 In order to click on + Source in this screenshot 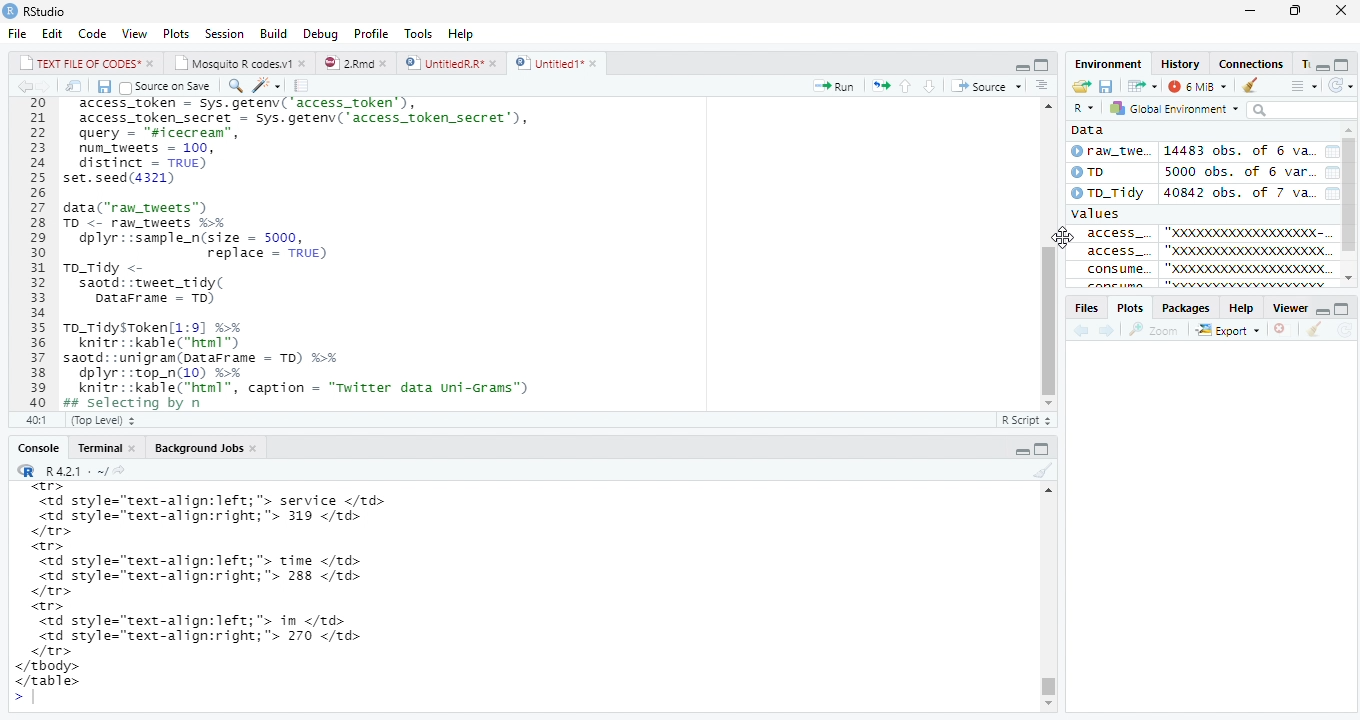, I will do `click(992, 86)`.